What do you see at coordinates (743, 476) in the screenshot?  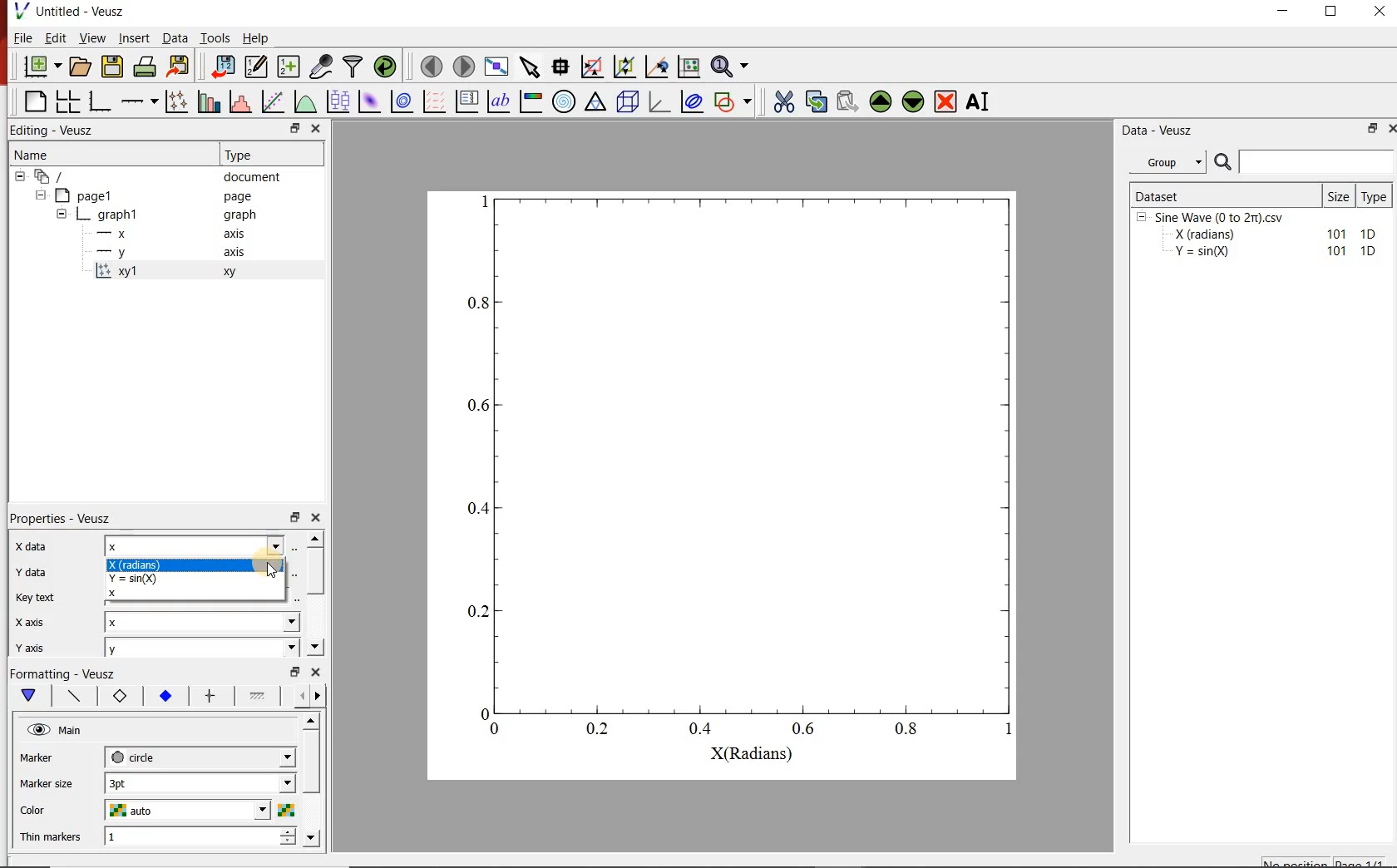 I see `BS —
0.8
0.6
0.4
0.2
0 0.2 0.4 0.6 0.8 1` at bounding box center [743, 476].